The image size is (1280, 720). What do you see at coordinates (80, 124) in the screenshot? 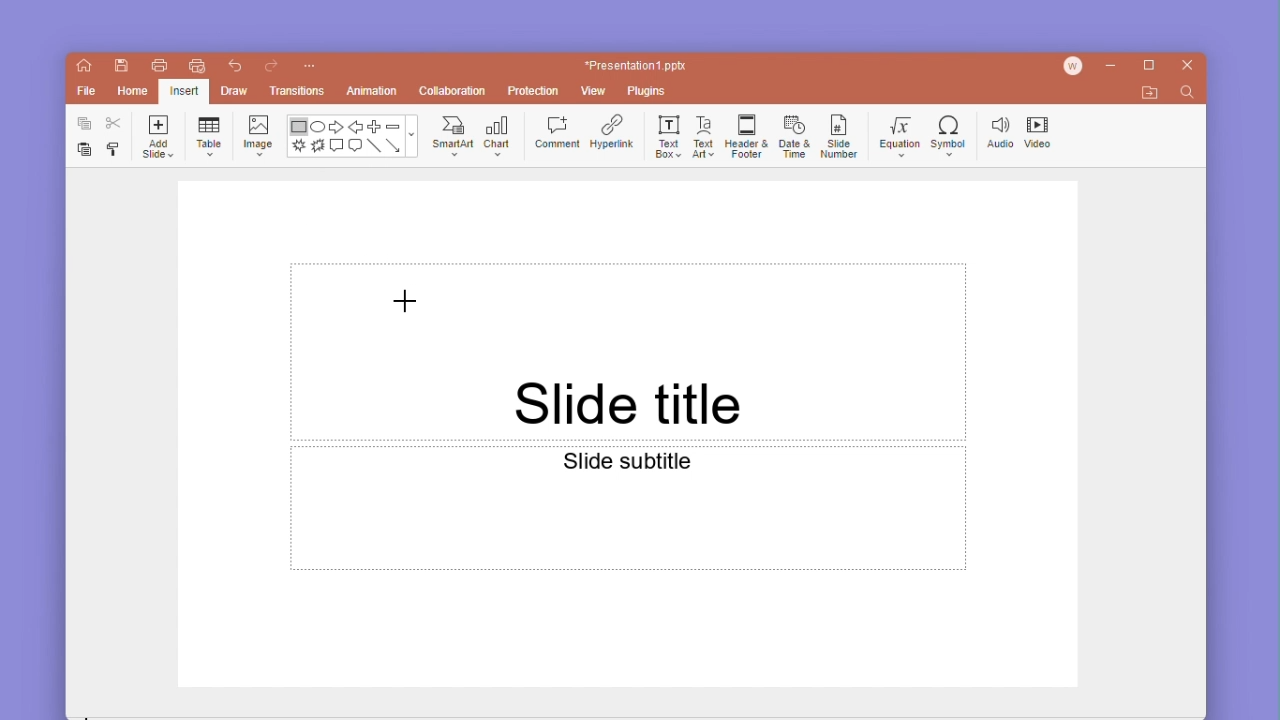
I see `copy` at bounding box center [80, 124].